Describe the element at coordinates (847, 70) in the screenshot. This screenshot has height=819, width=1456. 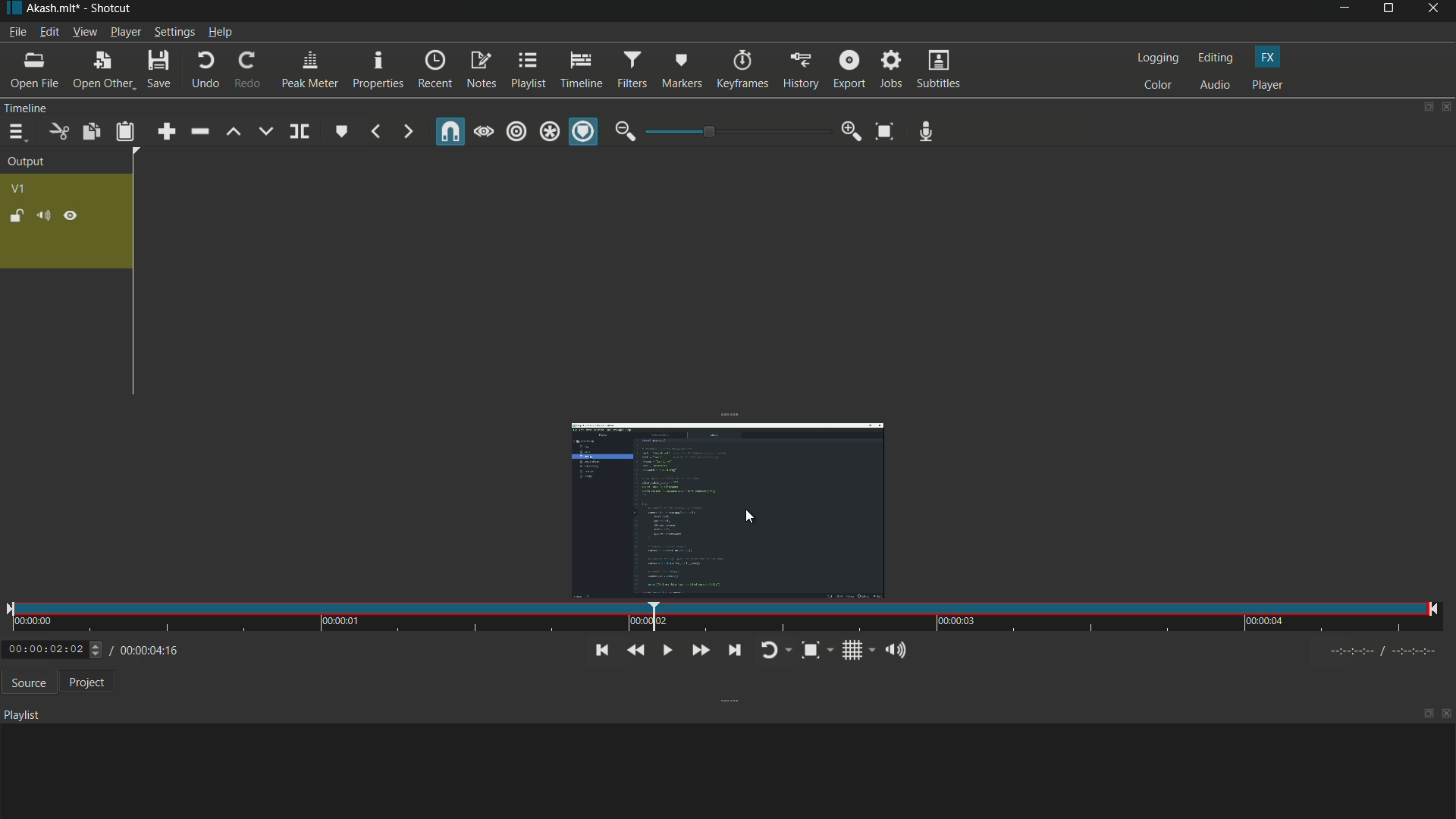
I see `export` at that location.